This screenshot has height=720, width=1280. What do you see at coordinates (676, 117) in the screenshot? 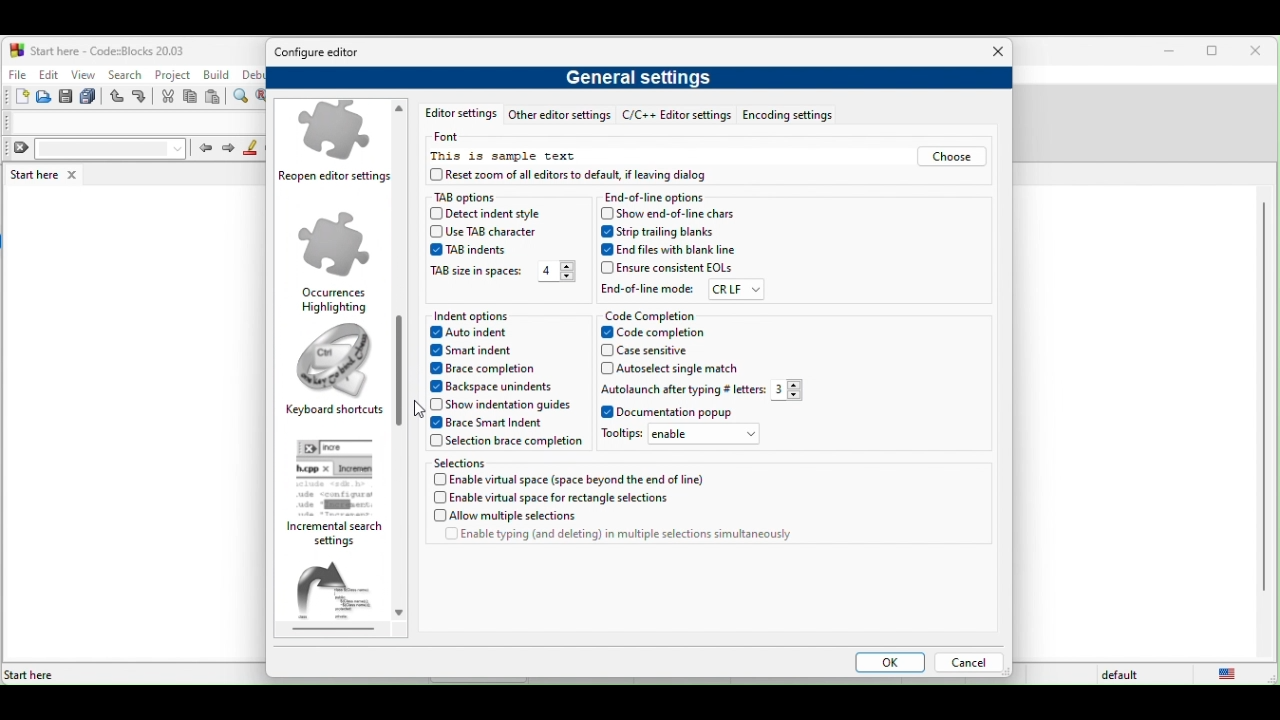
I see `c/c++ editor settings` at bounding box center [676, 117].